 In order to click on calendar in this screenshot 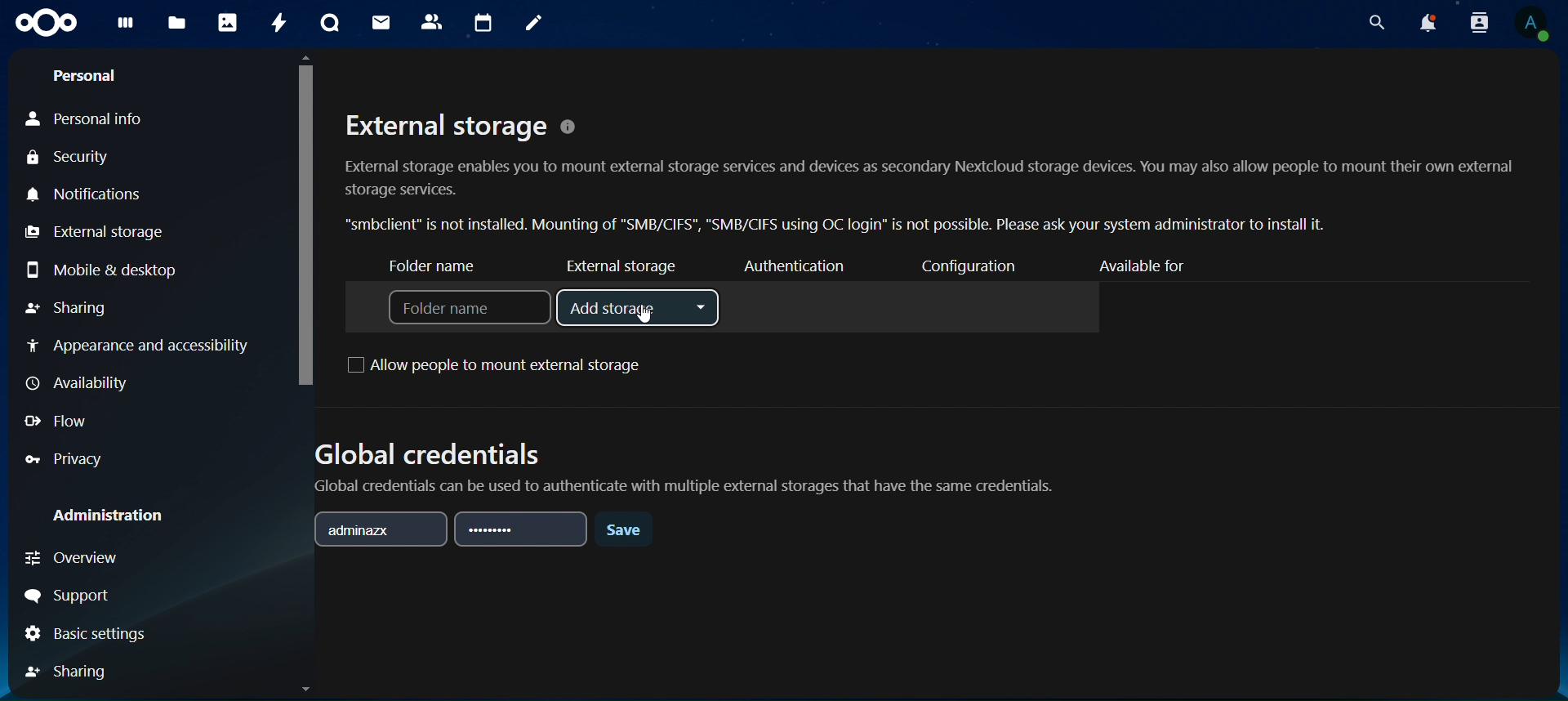, I will do `click(484, 21)`.